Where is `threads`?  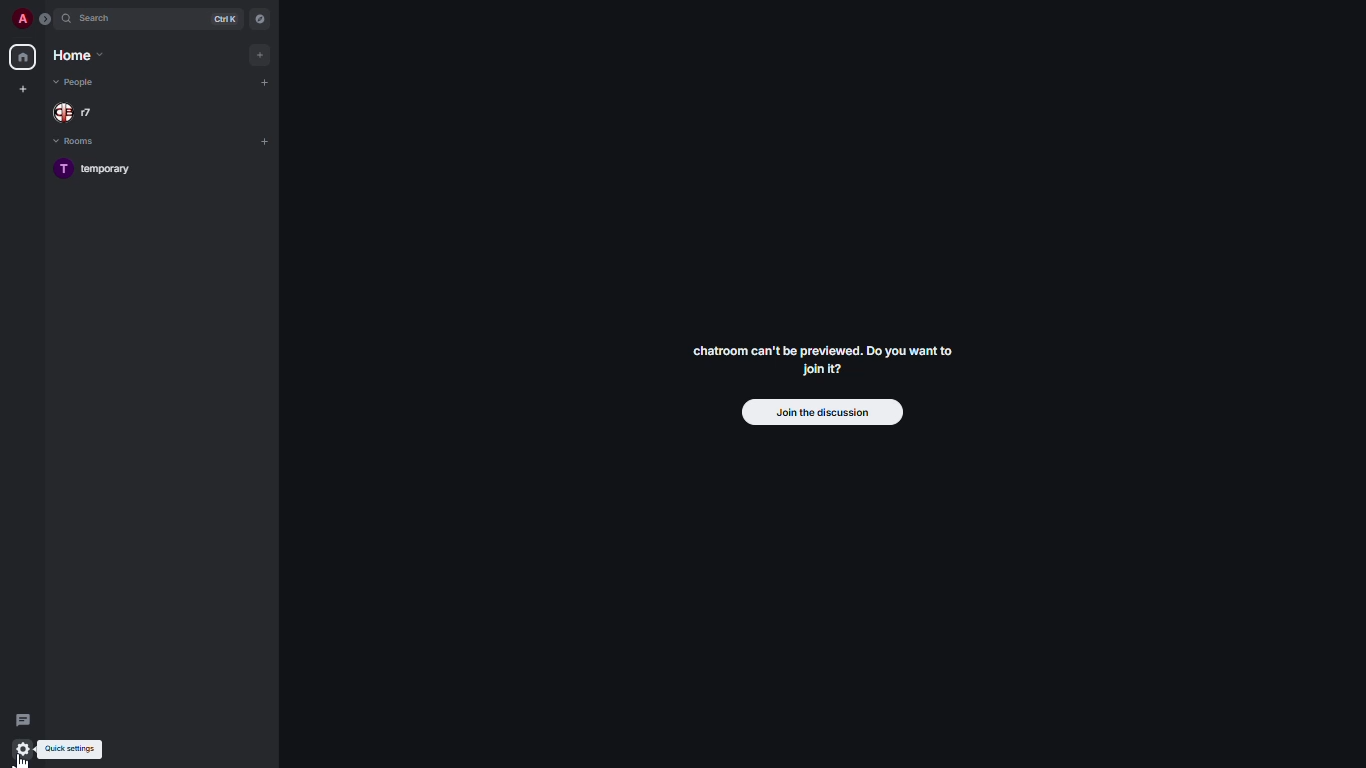
threads is located at coordinates (23, 716).